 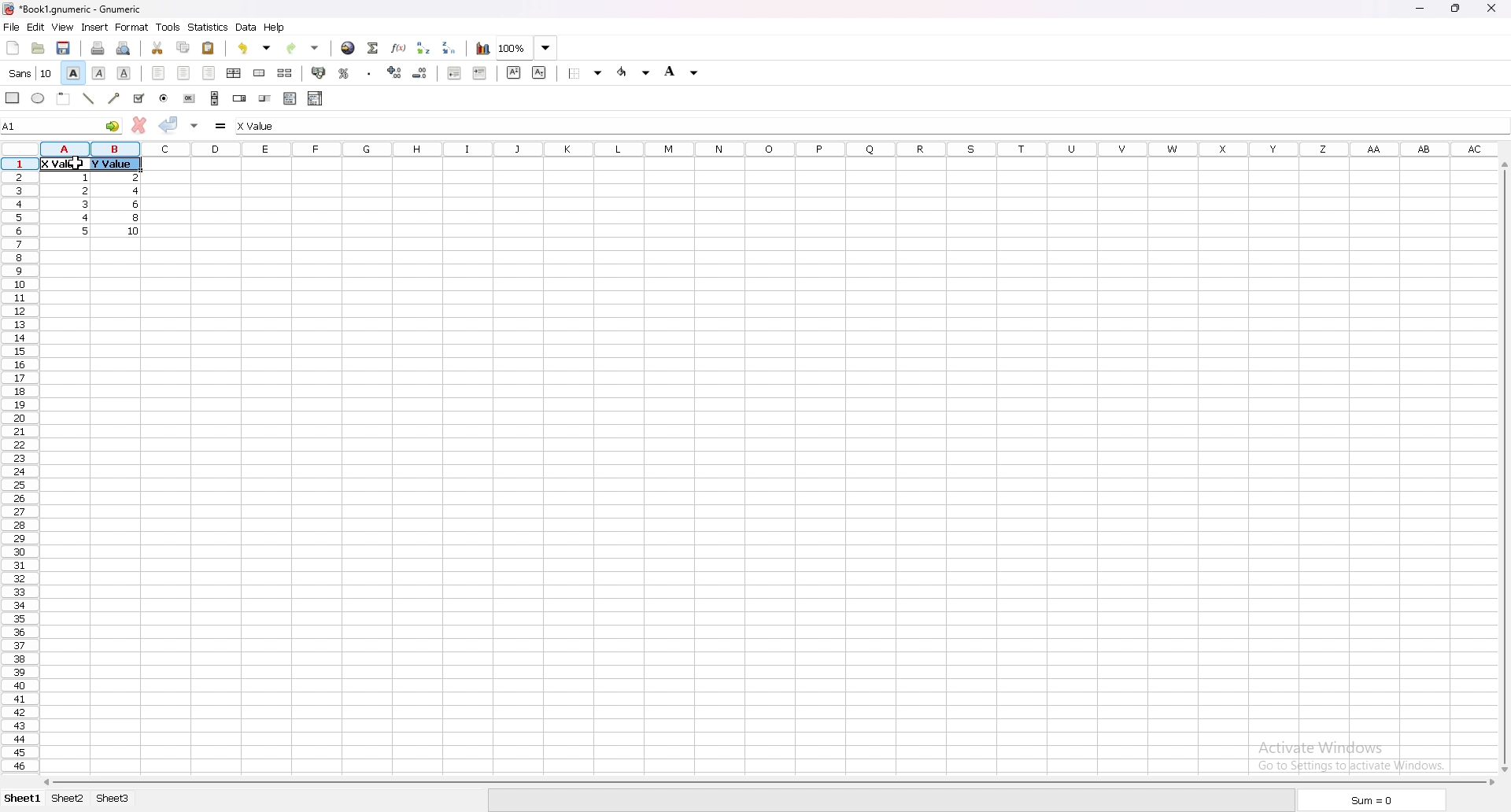 What do you see at coordinates (38, 98) in the screenshot?
I see `ellipse` at bounding box center [38, 98].